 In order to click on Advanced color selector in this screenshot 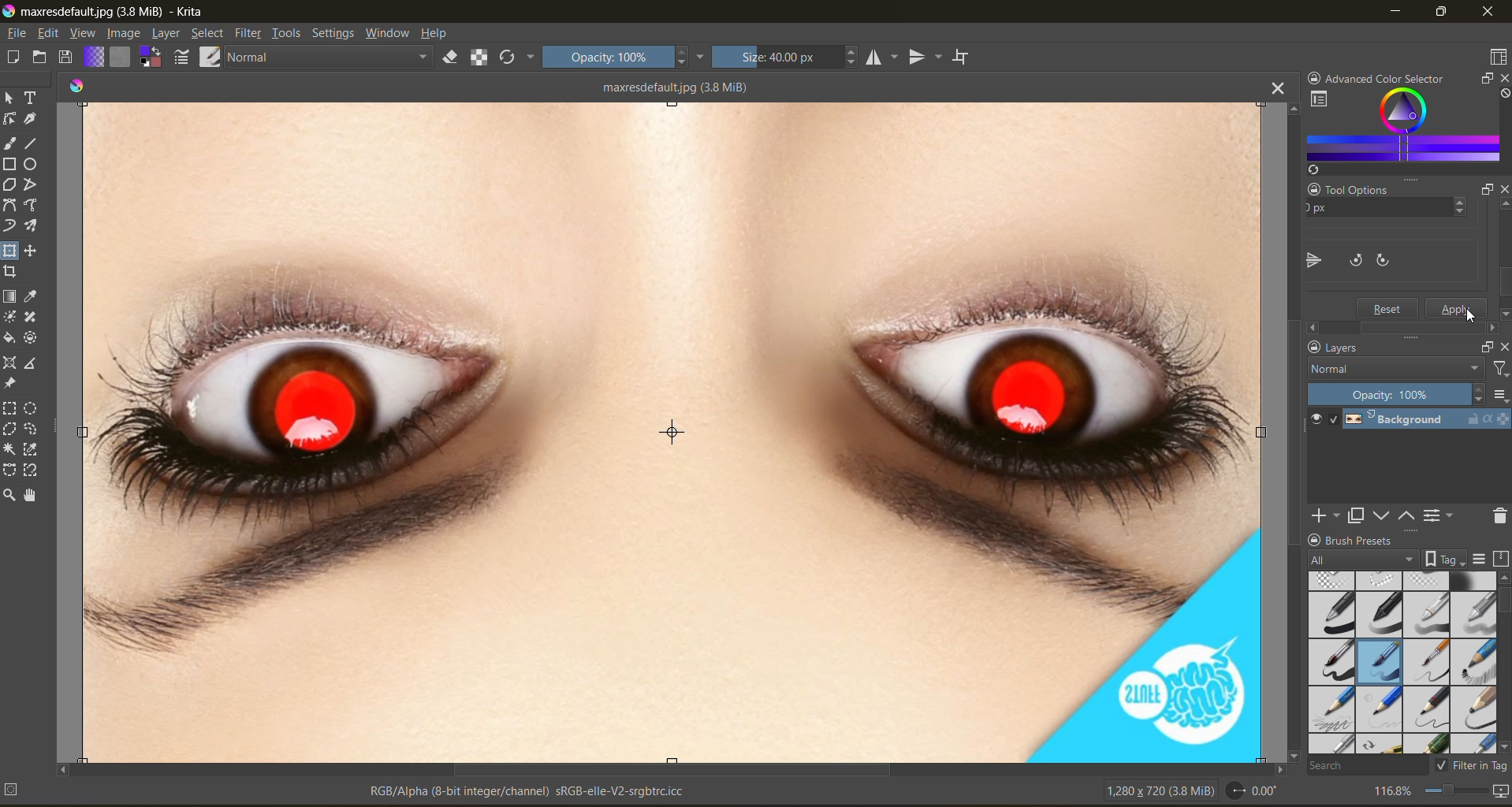, I will do `click(1394, 76)`.